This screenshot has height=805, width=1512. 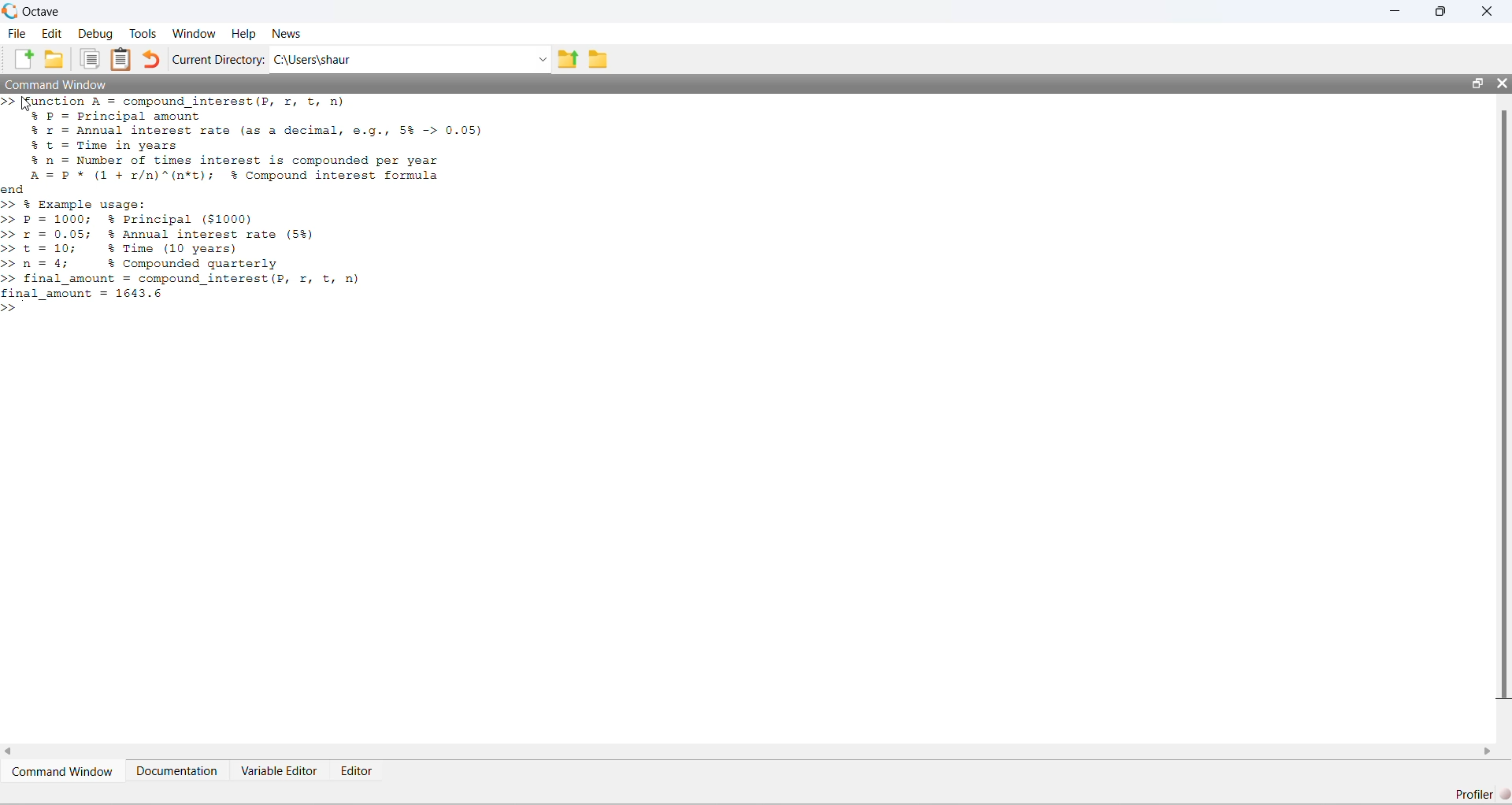 What do you see at coordinates (120, 60) in the screenshot?
I see `Clipboard` at bounding box center [120, 60].